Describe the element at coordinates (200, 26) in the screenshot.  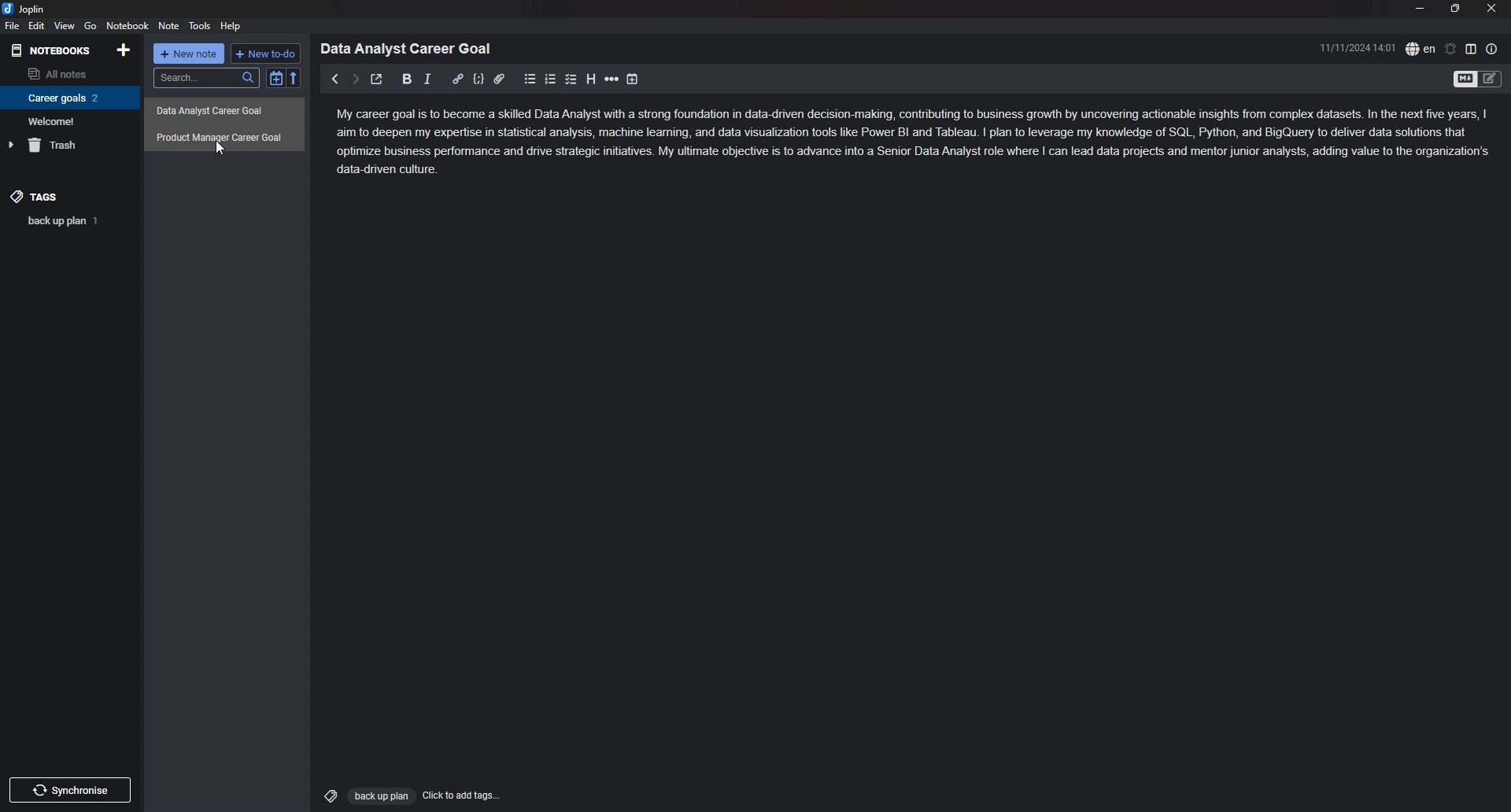
I see `tools` at that location.